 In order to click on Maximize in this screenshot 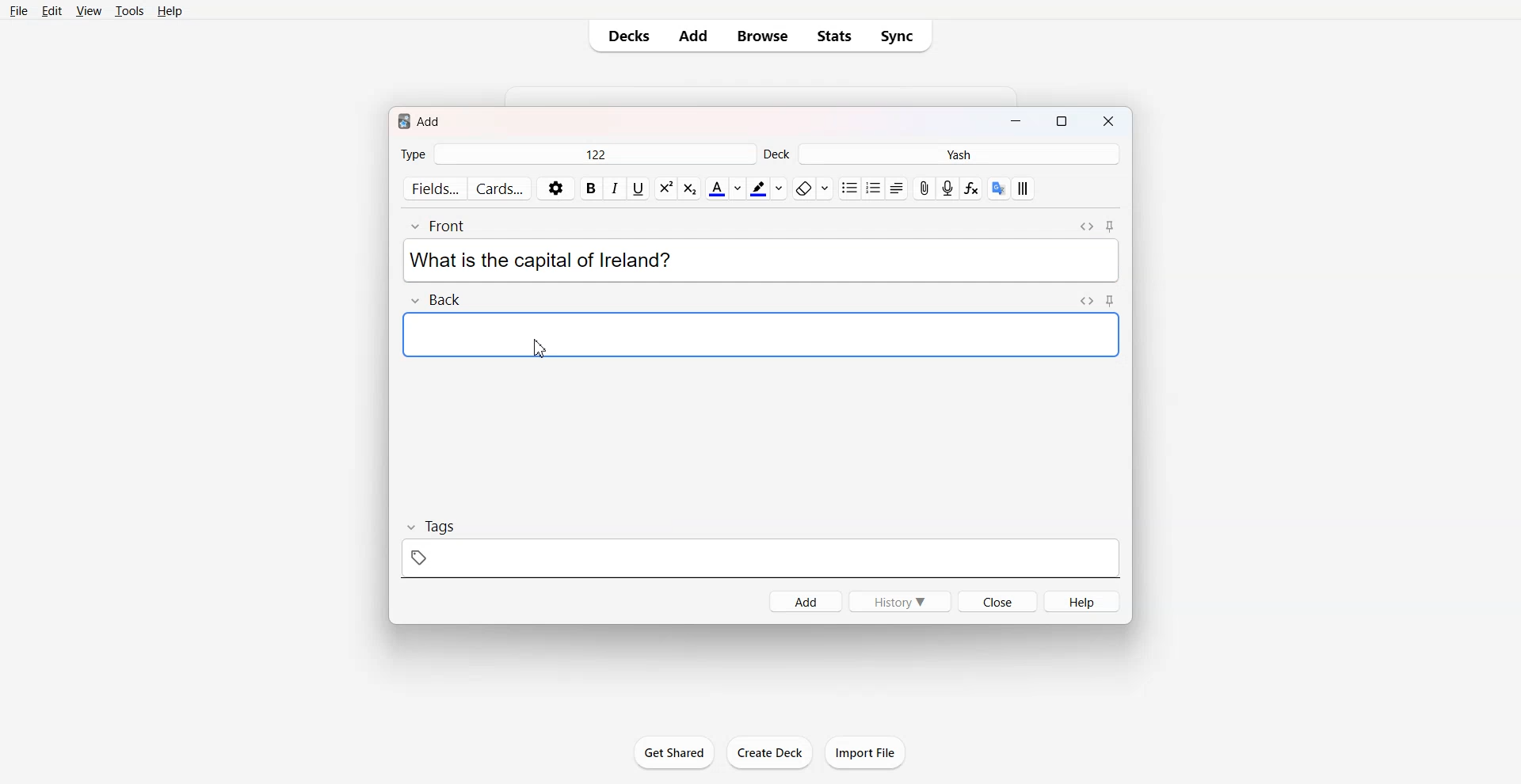, I will do `click(1065, 123)`.